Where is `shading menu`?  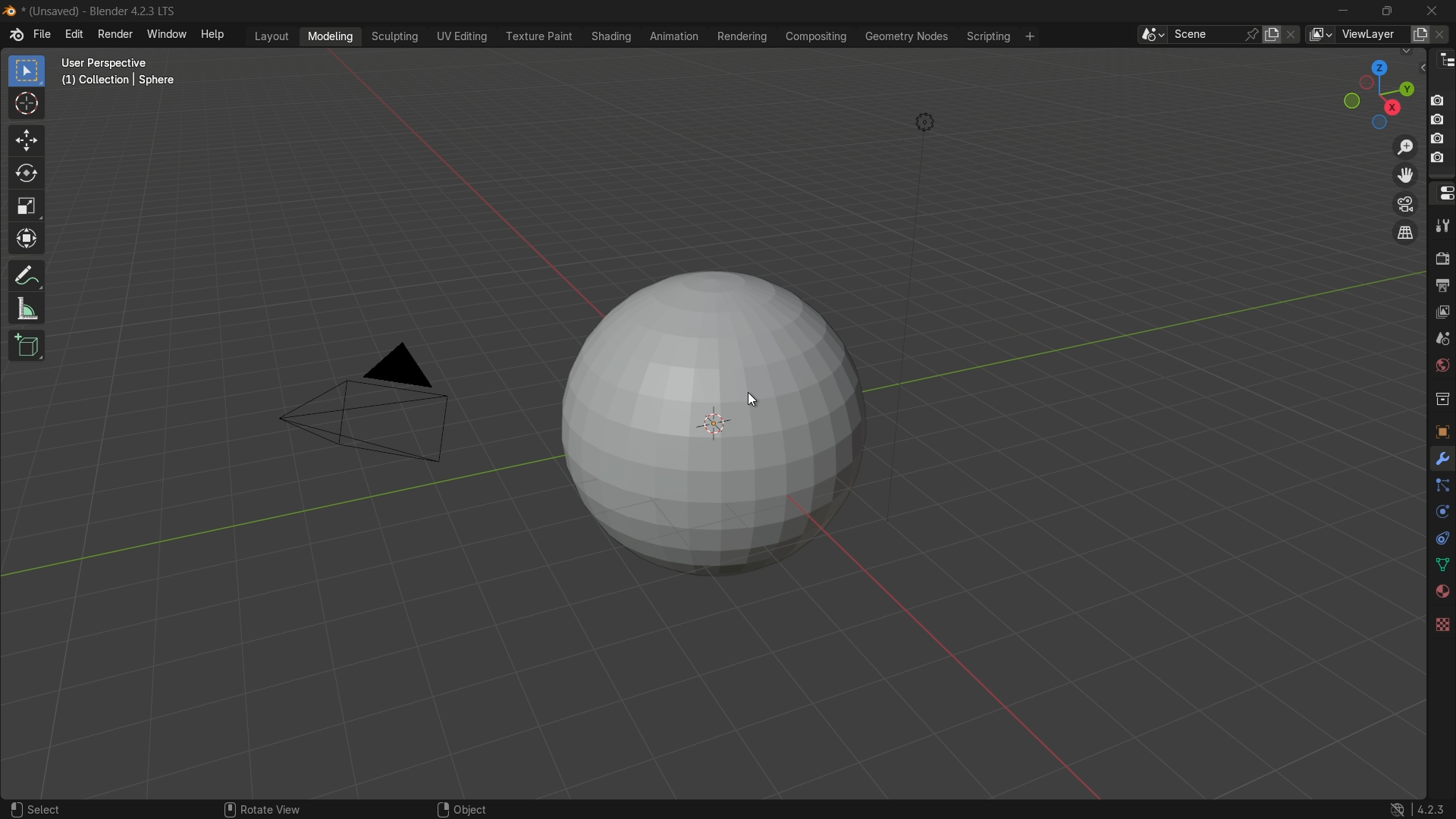 shading menu is located at coordinates (608, 35).